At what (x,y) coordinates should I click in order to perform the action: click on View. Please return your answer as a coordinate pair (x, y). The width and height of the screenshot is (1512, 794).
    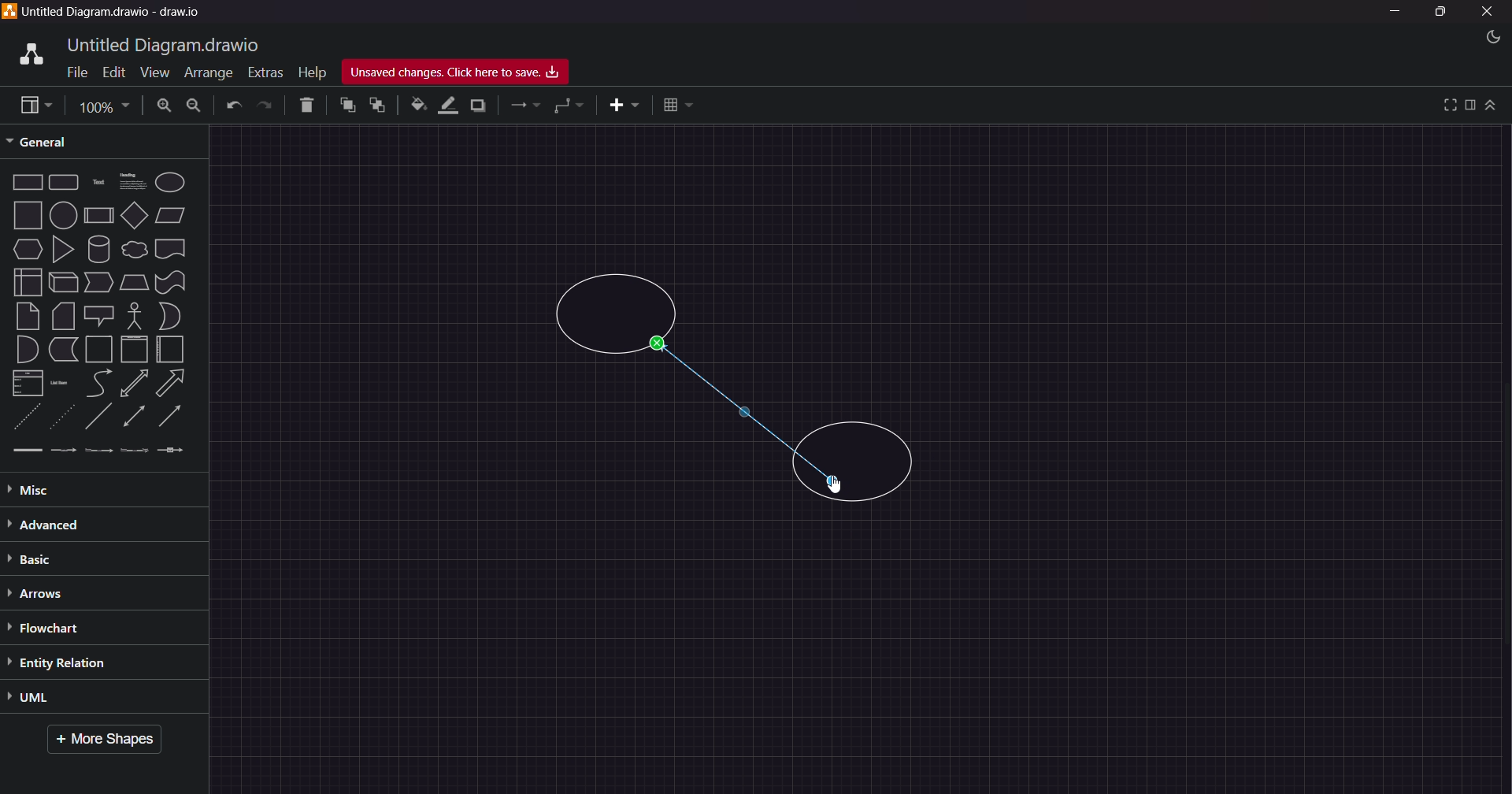
    Looking at the image, I should click on (148, 72).